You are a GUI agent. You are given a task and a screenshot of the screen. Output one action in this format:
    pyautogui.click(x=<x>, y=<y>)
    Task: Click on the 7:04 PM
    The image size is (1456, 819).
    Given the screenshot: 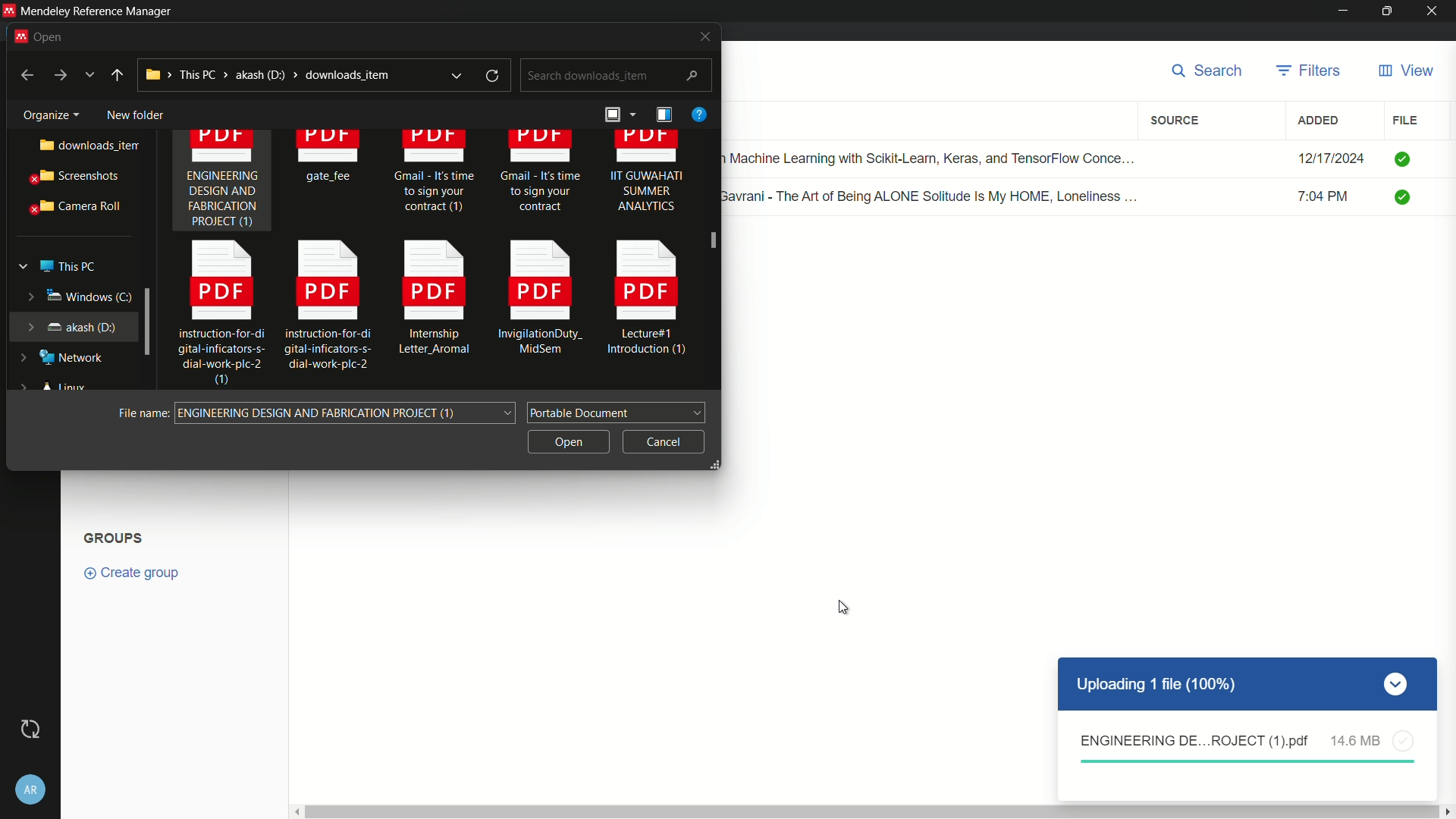 What is the action you would take?
    pyautogui.click(x=1332, y=199)
    